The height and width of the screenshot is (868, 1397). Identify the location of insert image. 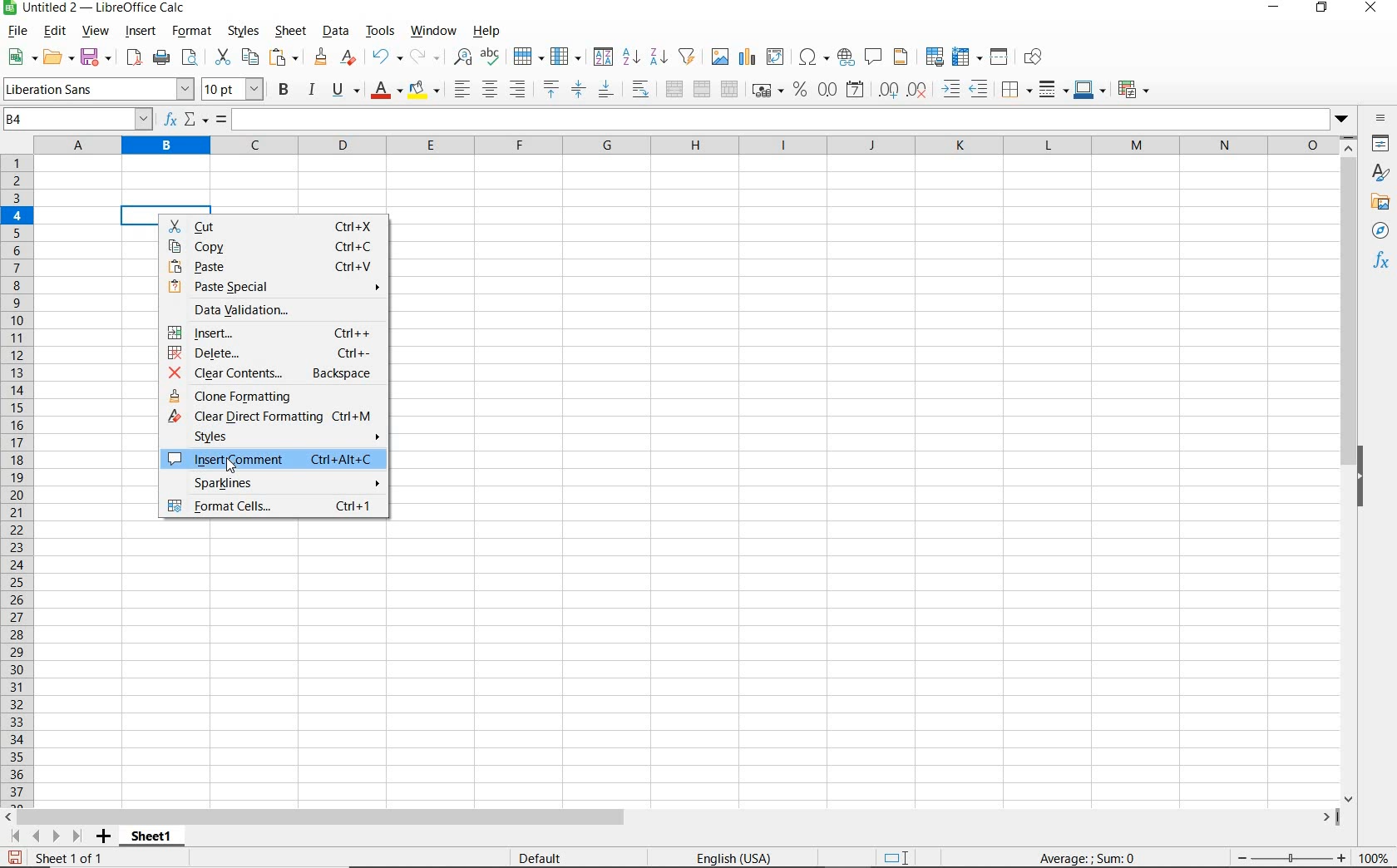
(720, 57).